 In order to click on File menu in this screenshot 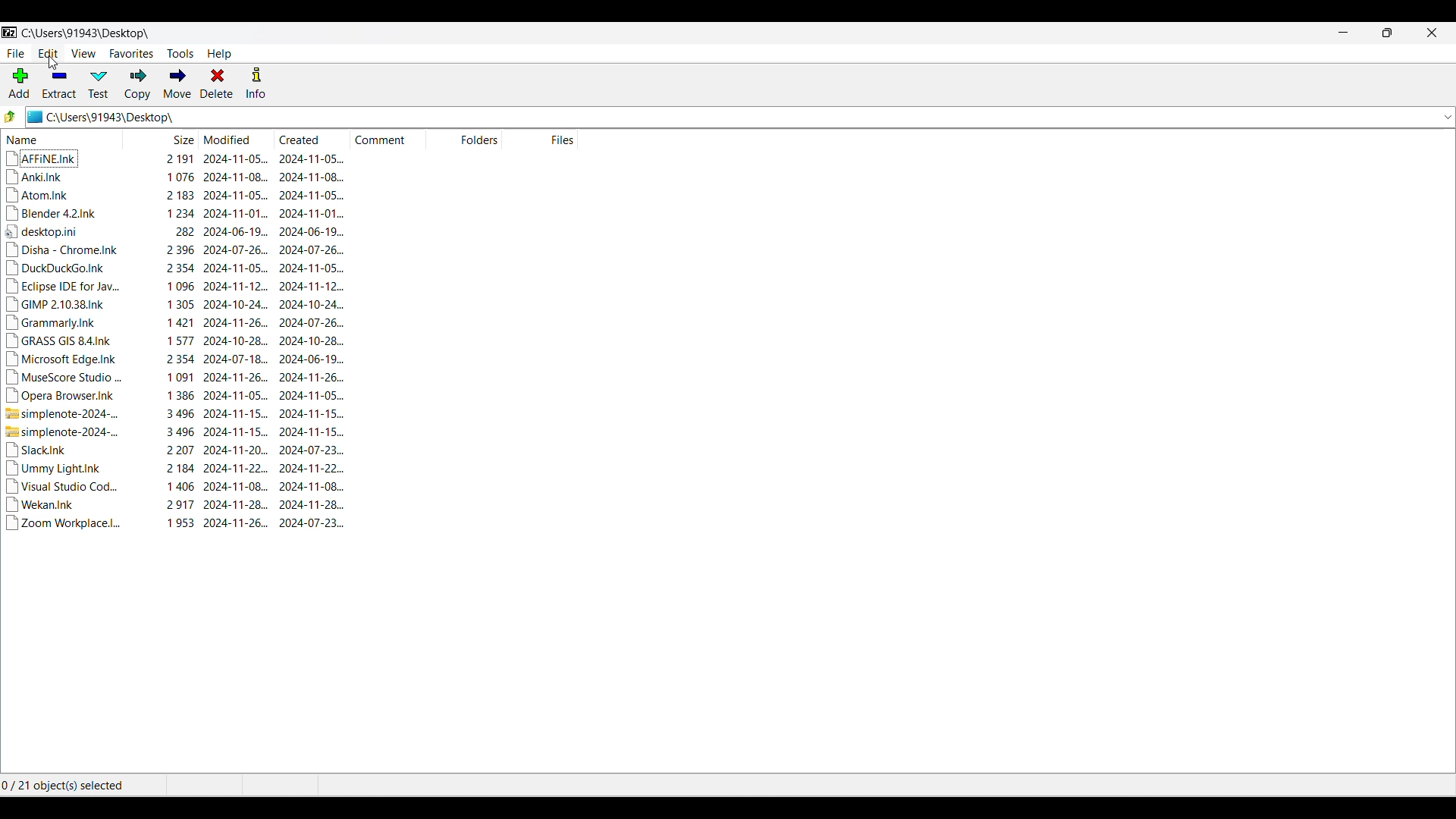, I will do `click(16, 54)`.